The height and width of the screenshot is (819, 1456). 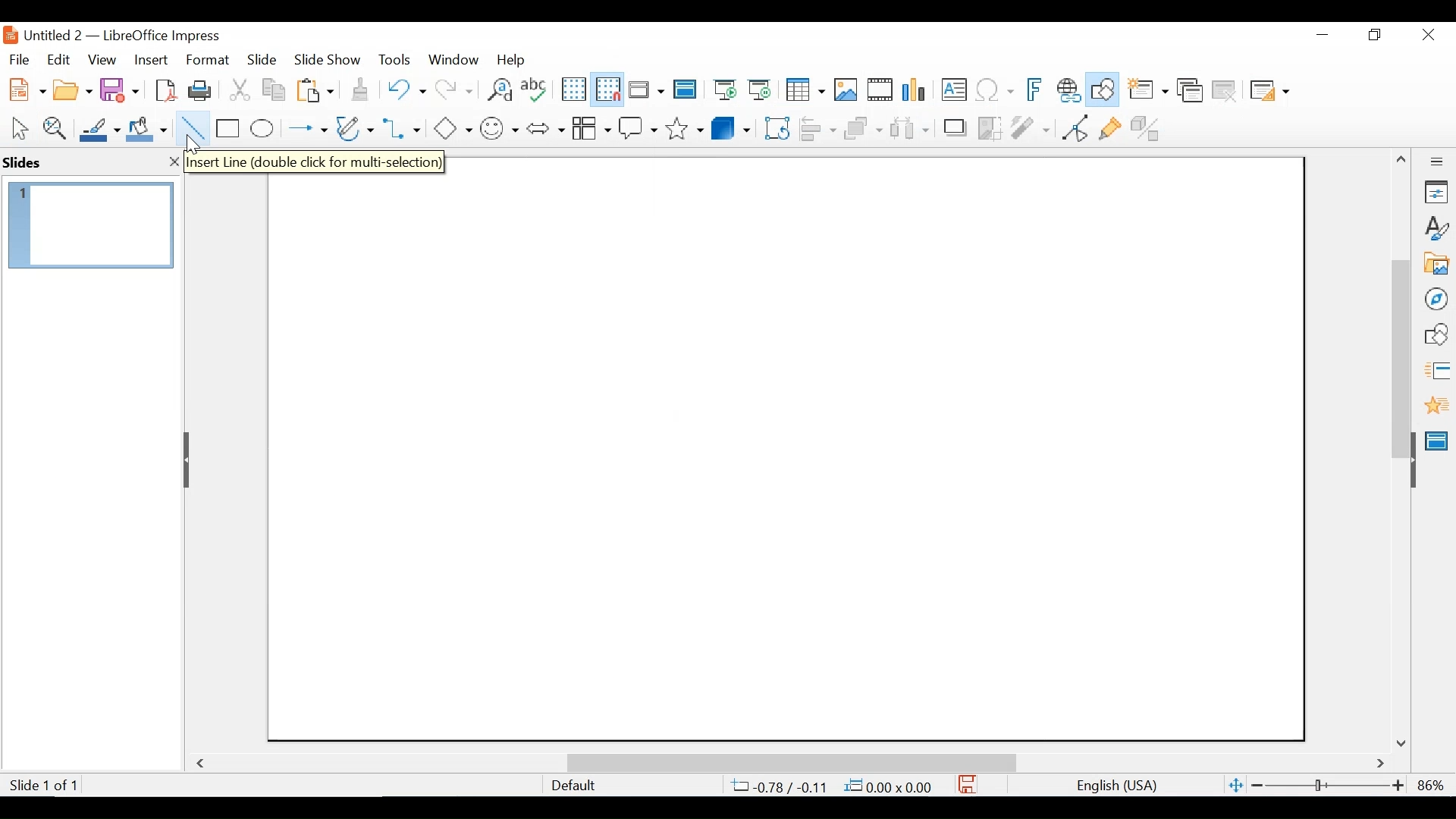 What do you see at coordinates (583, 783) in the screenshot?
I see `Default` at bounding box center [583, 783].